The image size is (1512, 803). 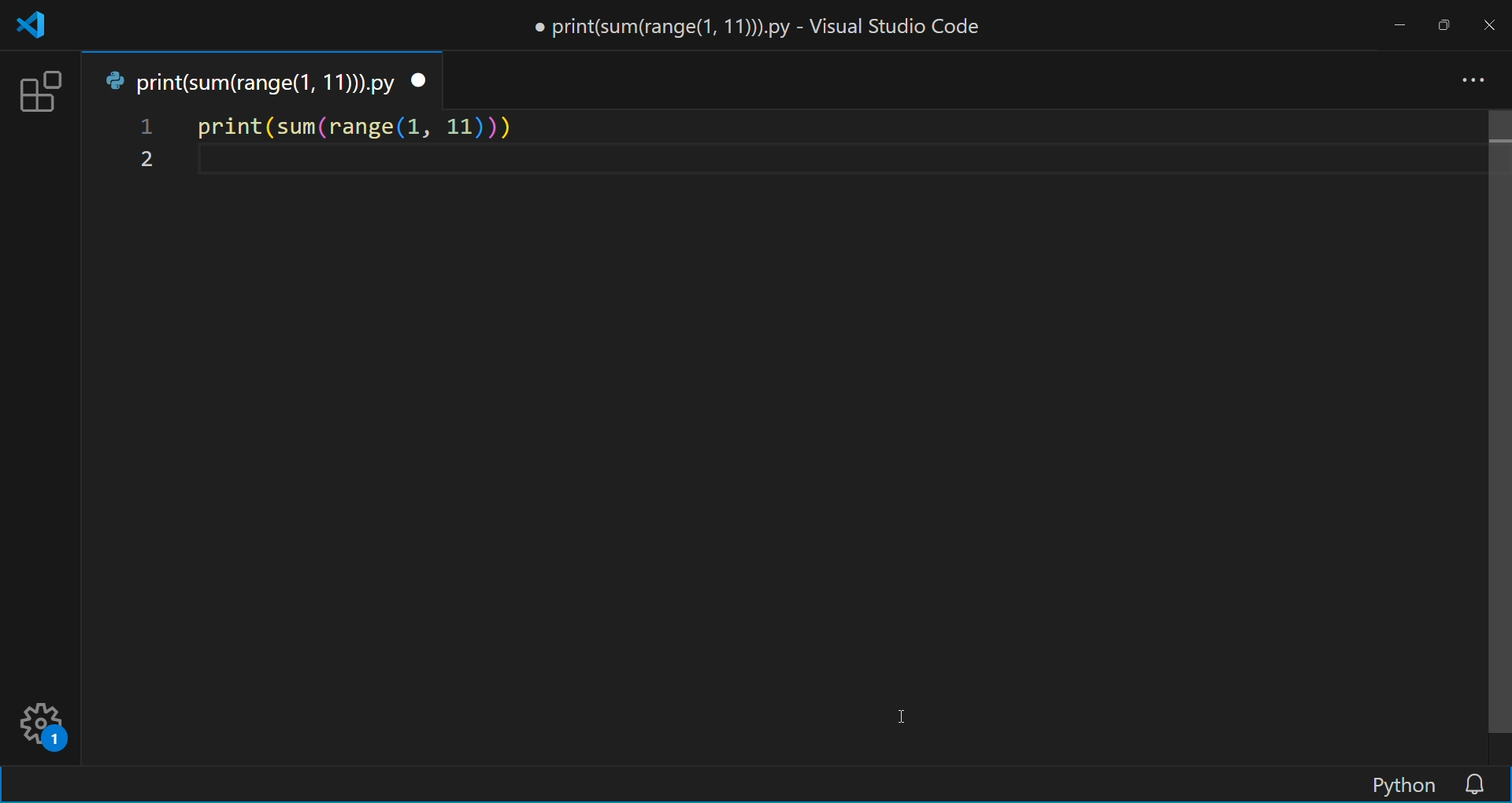 I want to click on extension, so click(x=41, y=91).